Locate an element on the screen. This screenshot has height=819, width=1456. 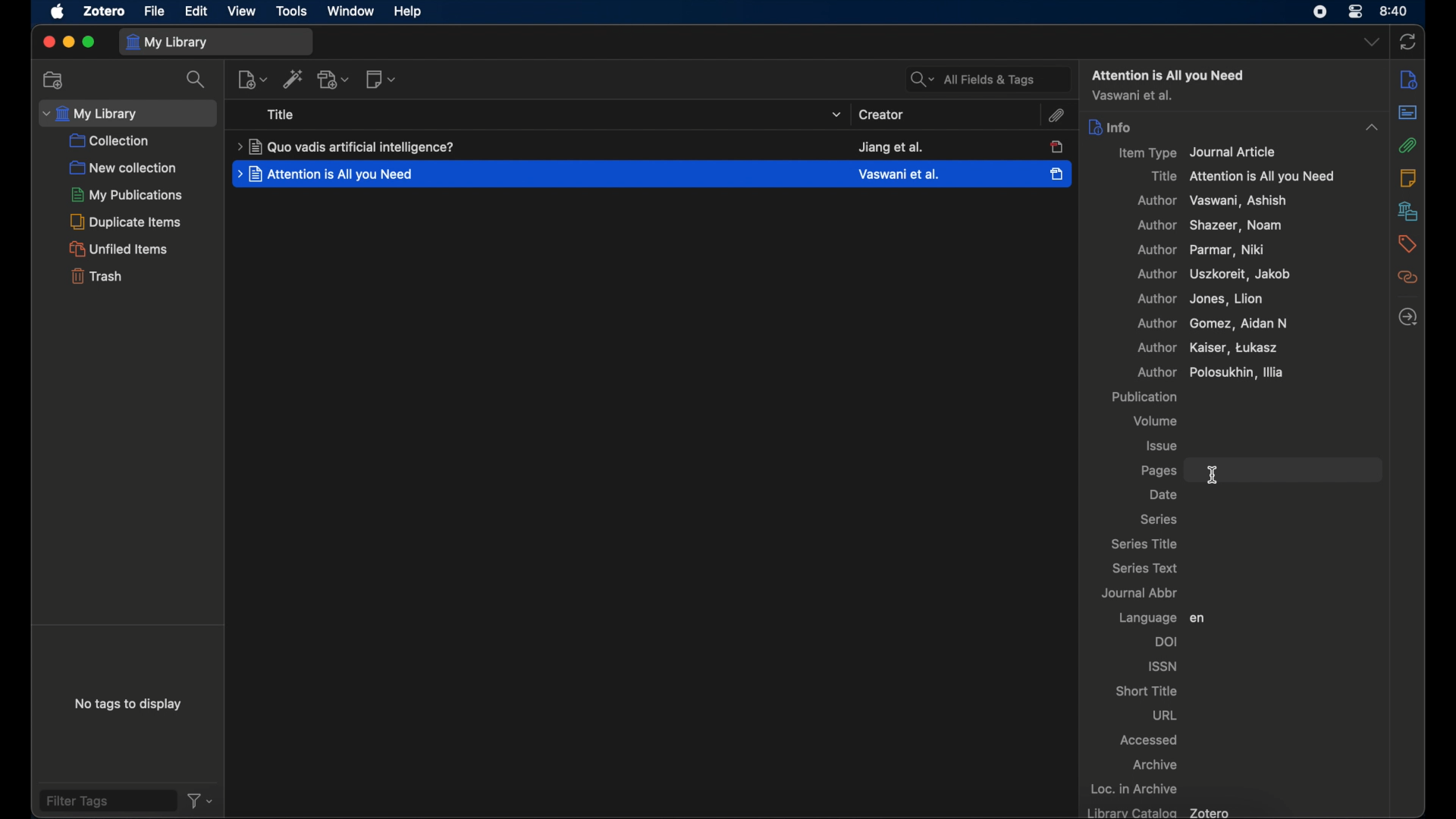
title is located at coordinates (281, 115).